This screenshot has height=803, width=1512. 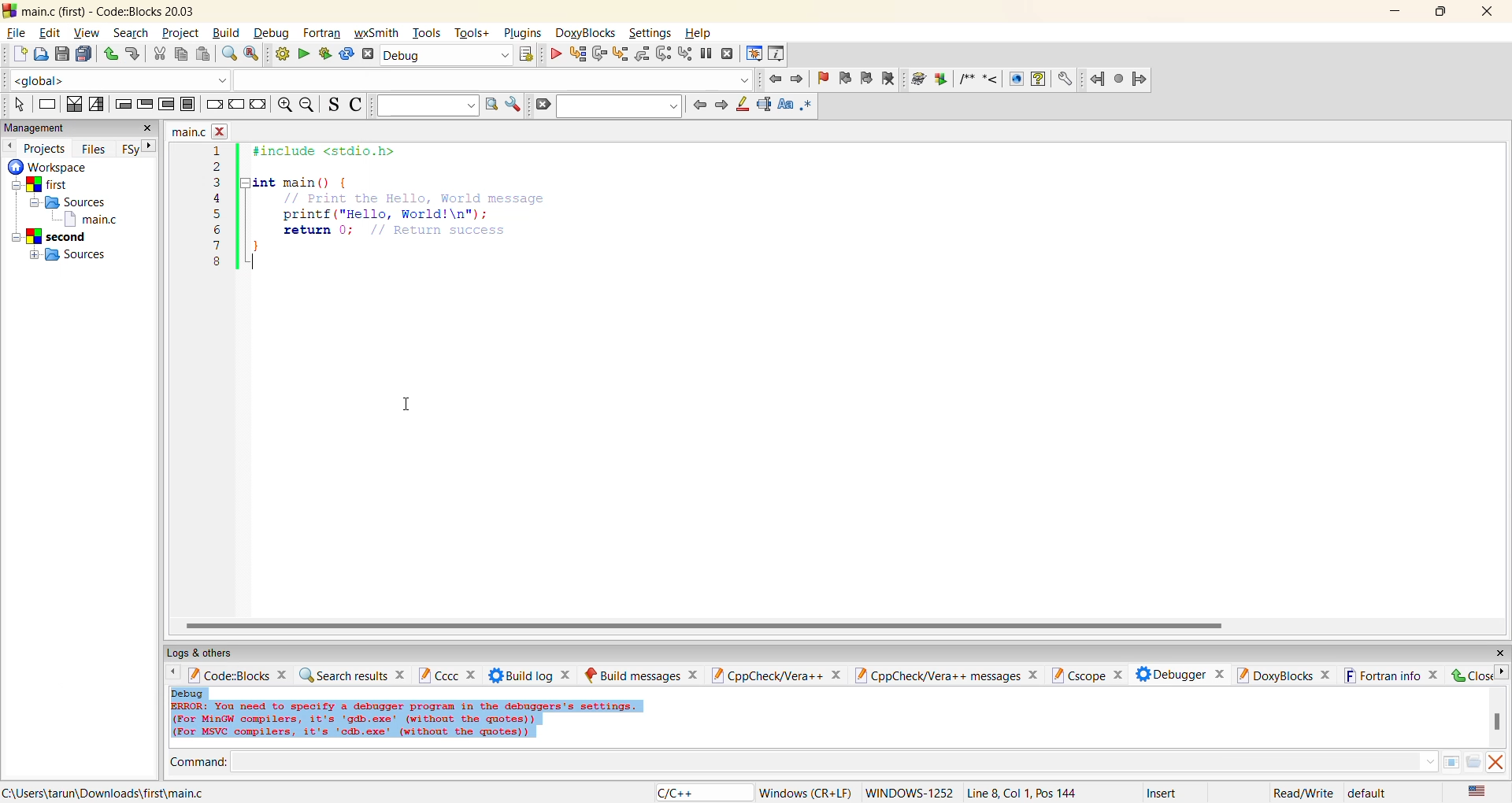 What do you see at coordinates (167, 105) in the screenshot?
I see `counting loop` at bounding box center [167, 105].